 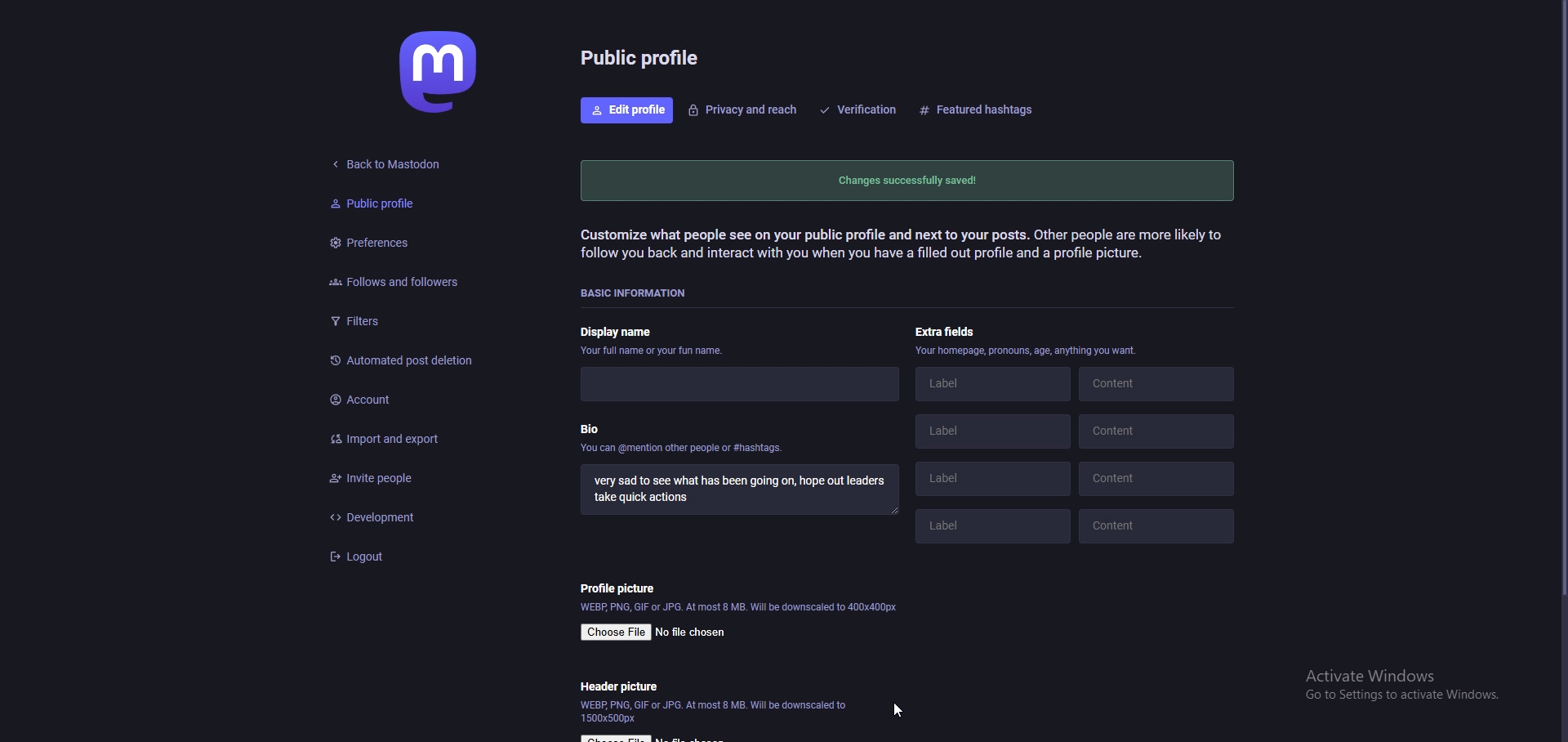 What do you see at coordinates (693, 632) in the screenshot?
I see `no file chosen` at bounding box center [693, 632].